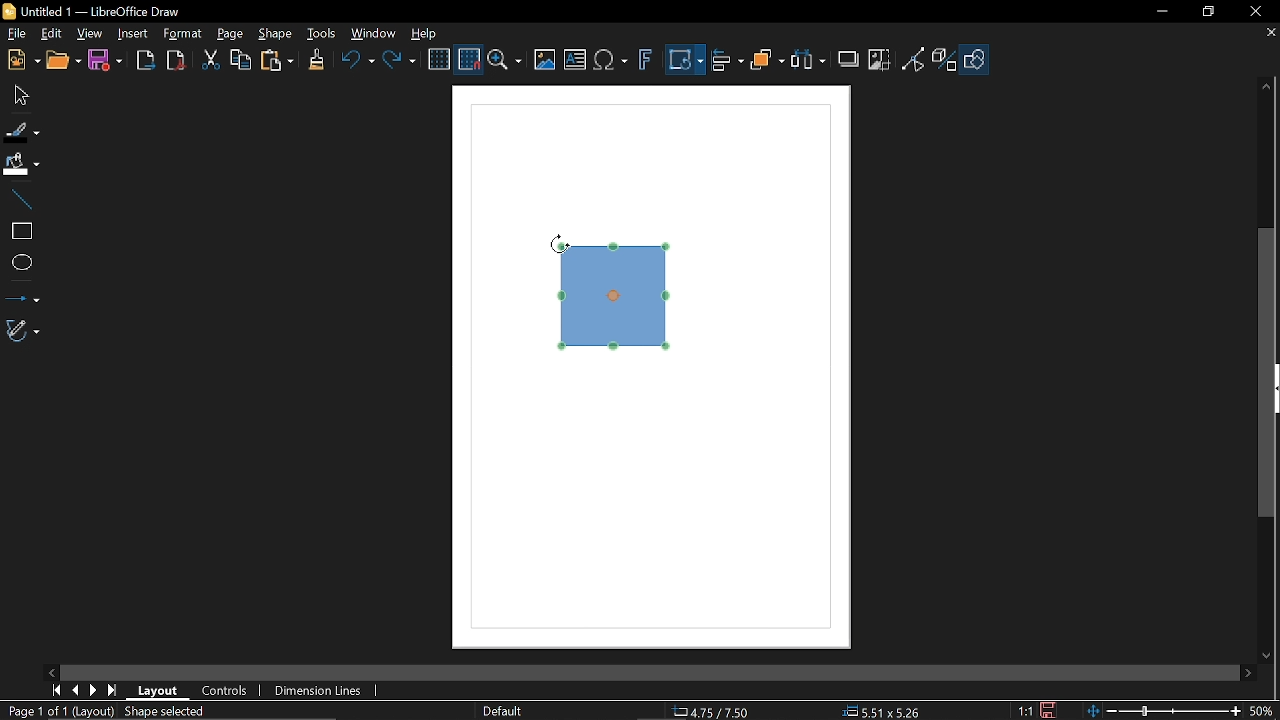 This screenshot has height=720, width=1280. What do you see at coordinates (611, 61) in the screenshot?
I see `Insert equation` at bounding box center [611, 61].